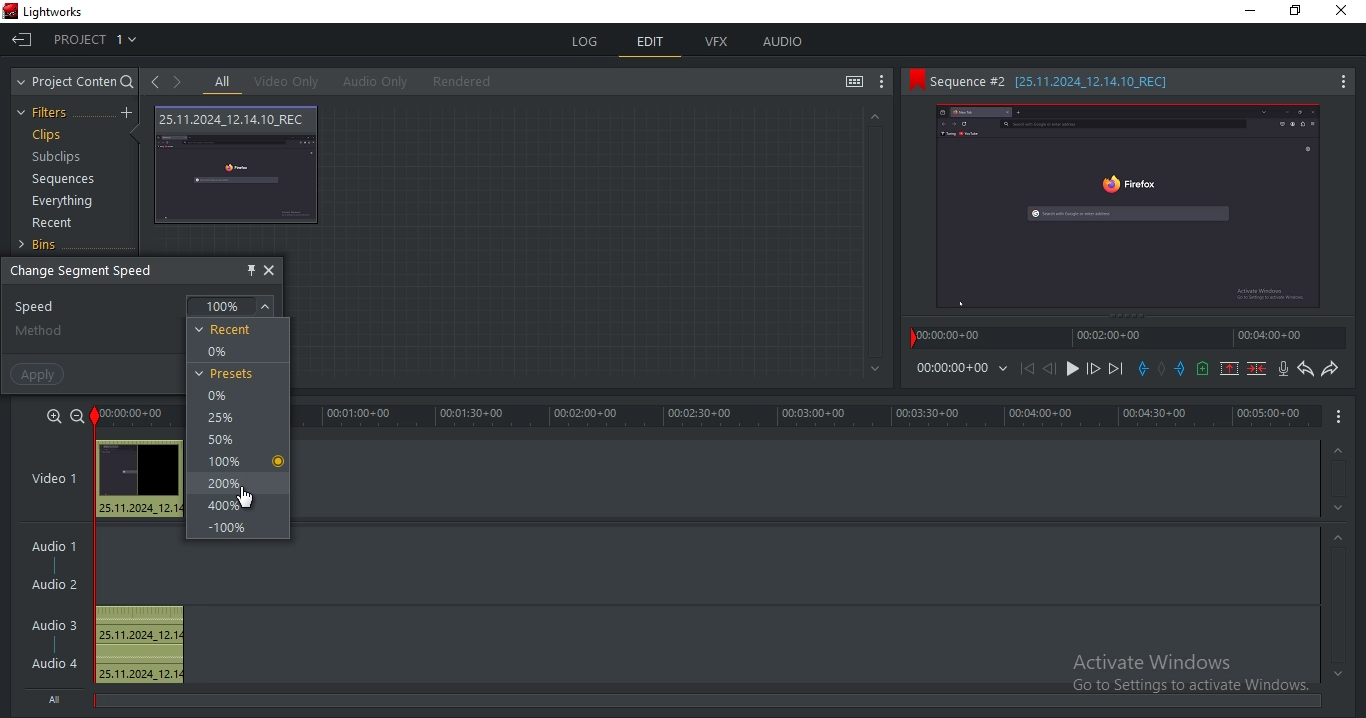 The height and width of the screenshot is (718, 1366). I want to click on zoom out, so click(75, 415).